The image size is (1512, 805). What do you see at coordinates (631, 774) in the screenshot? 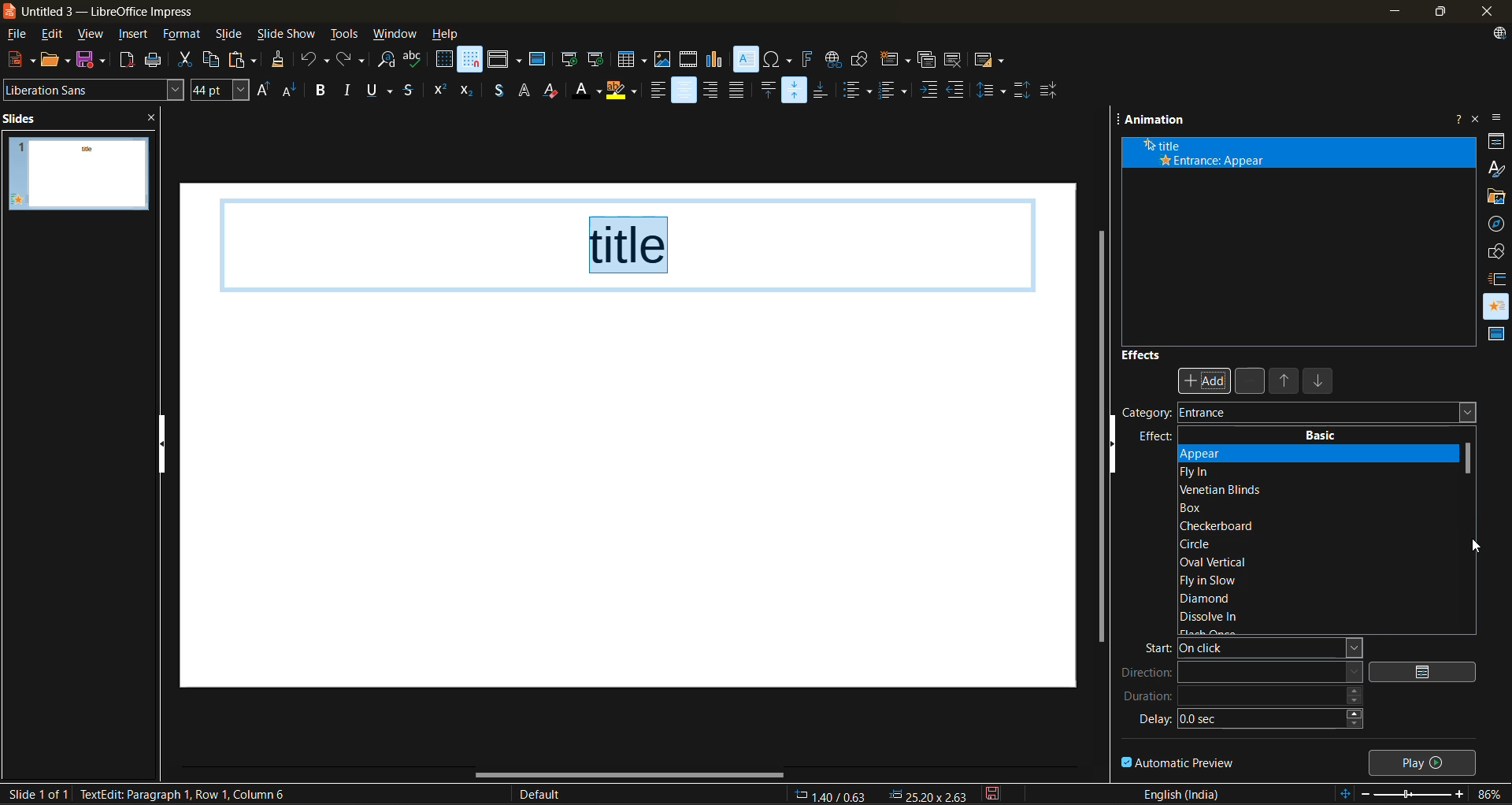
I see `horizontal scroll bar` at bounding box center [631, 774].